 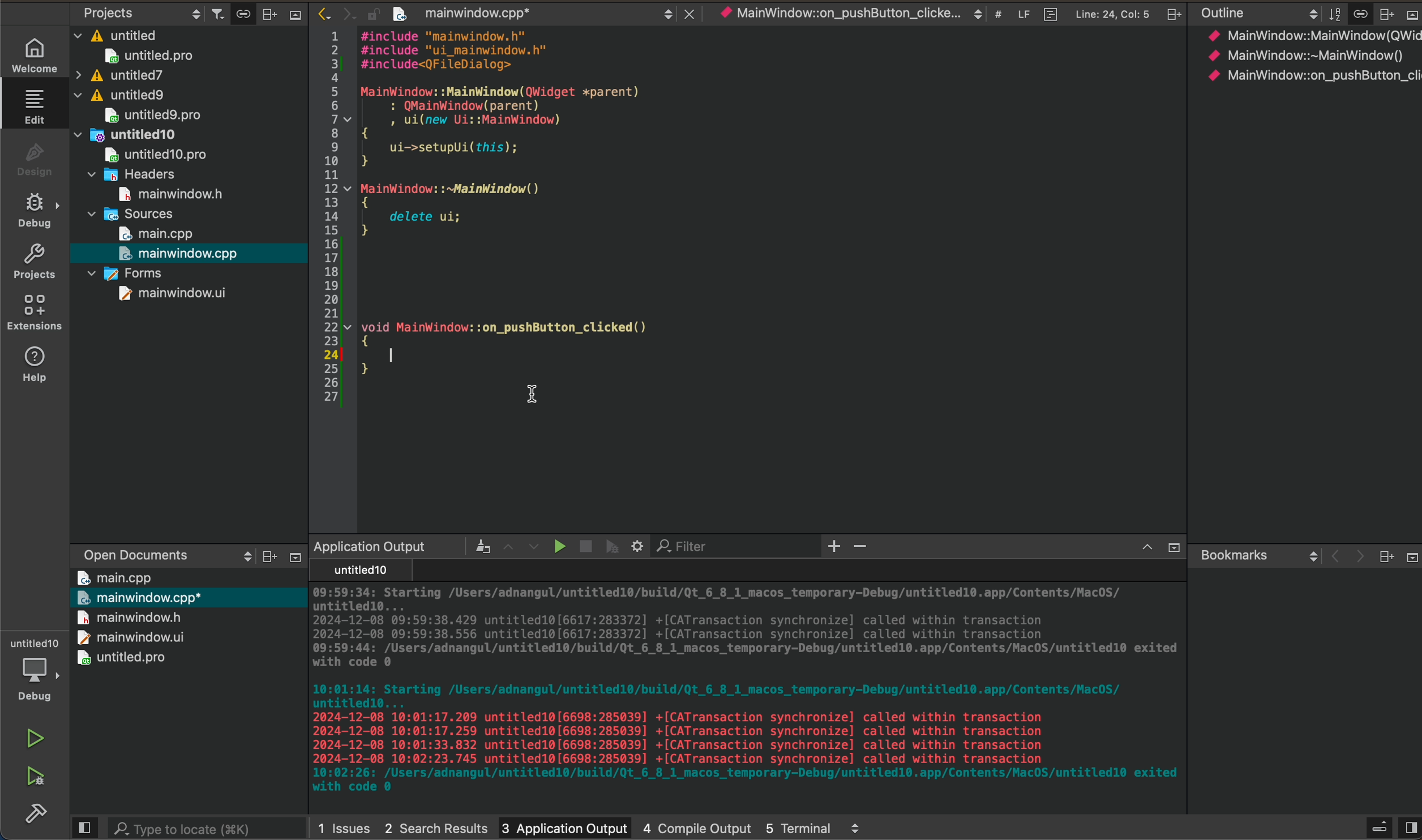 I want to click on » mainwindow. ui, so click(x=127, y=636).